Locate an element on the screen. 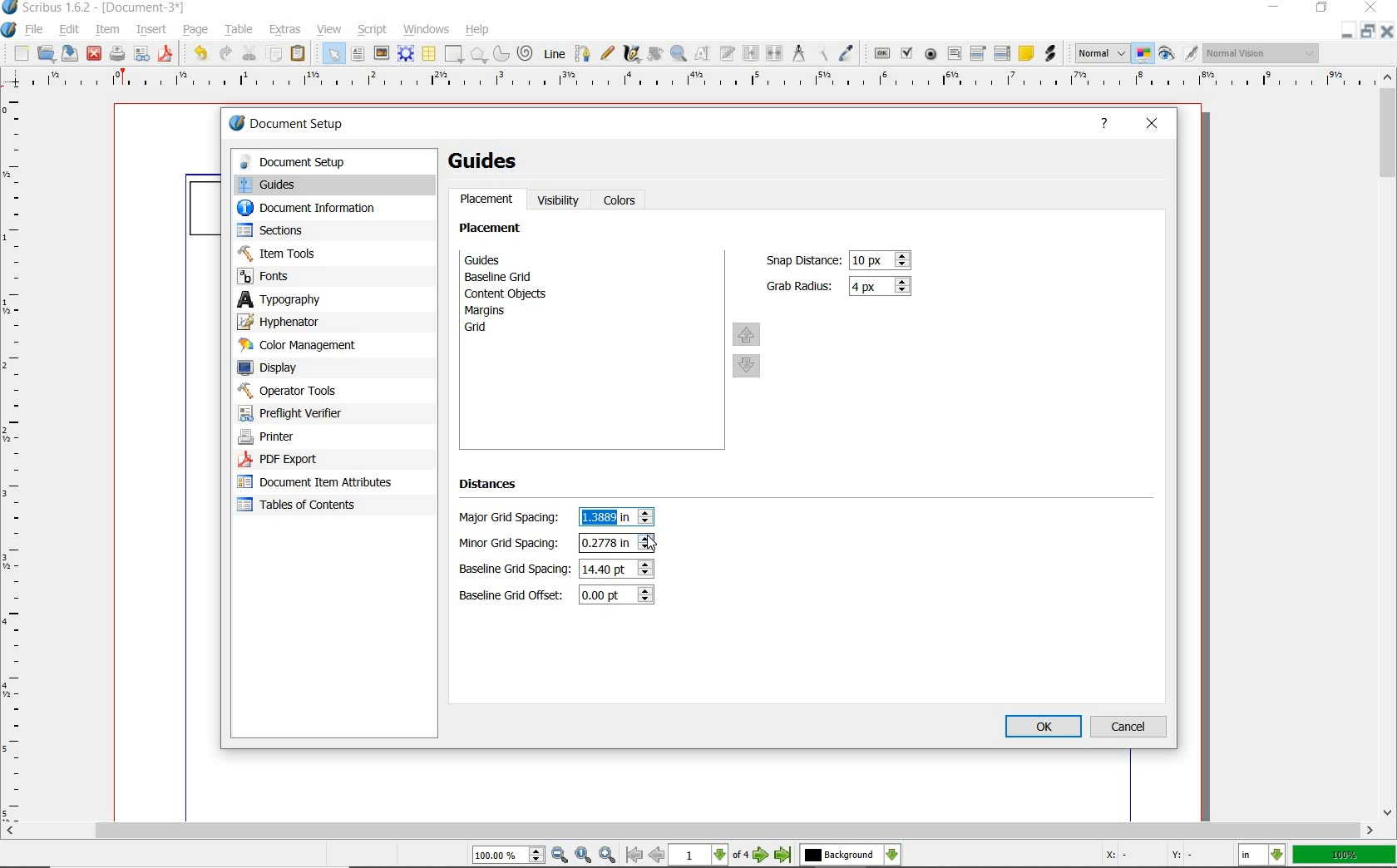  colors is located at coordinates (622, 201).